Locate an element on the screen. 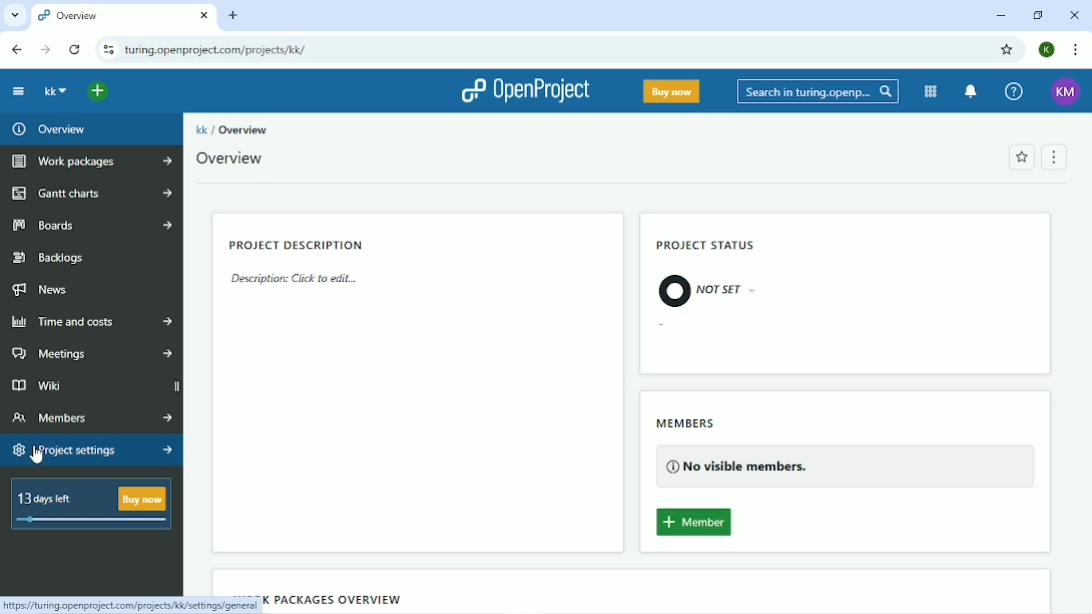 This screenshot has height=614, width=1092. Back is located at coordinates (17, 49).